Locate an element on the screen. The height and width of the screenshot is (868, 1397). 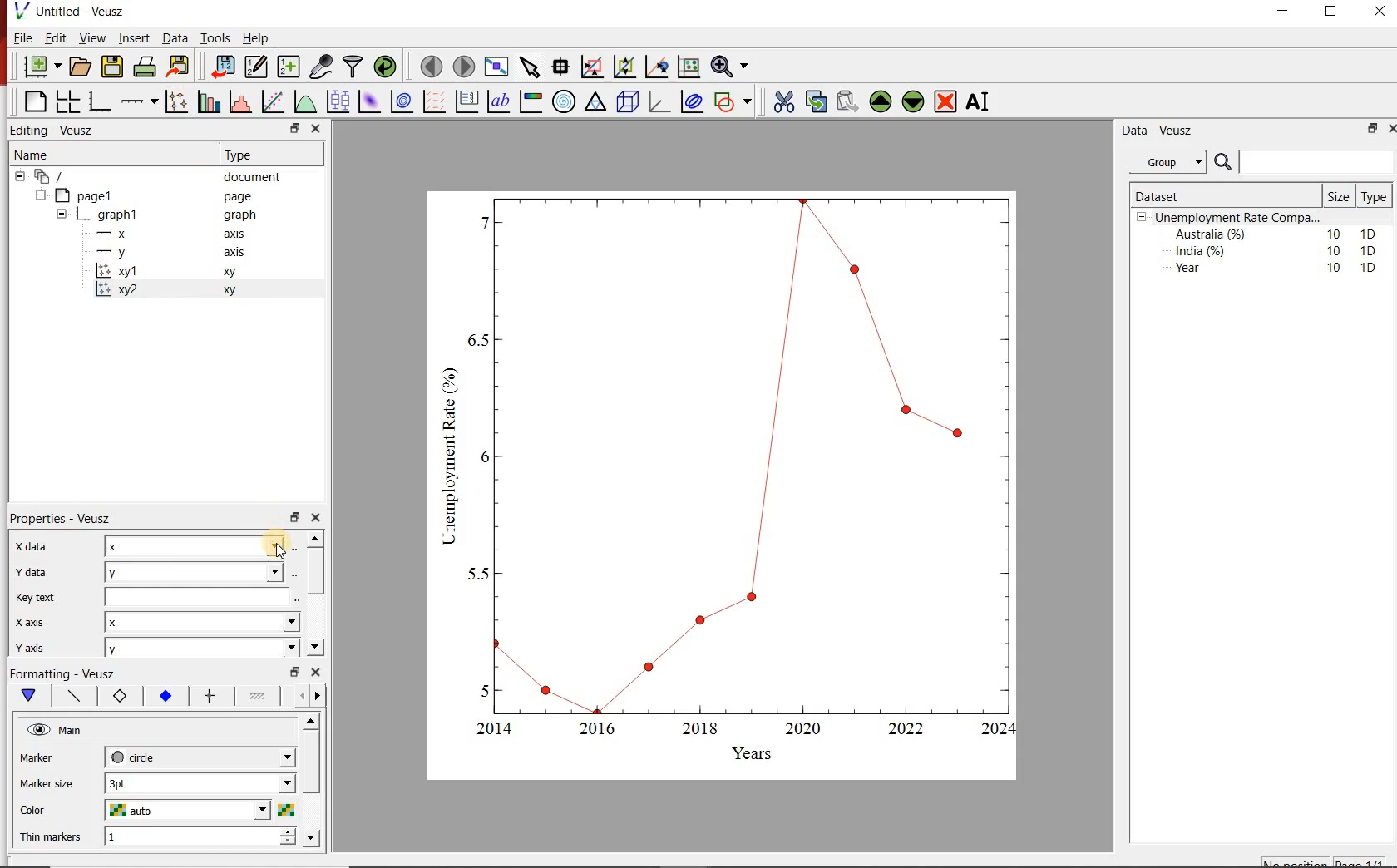
image color bar is located at coordinates (531, 102).